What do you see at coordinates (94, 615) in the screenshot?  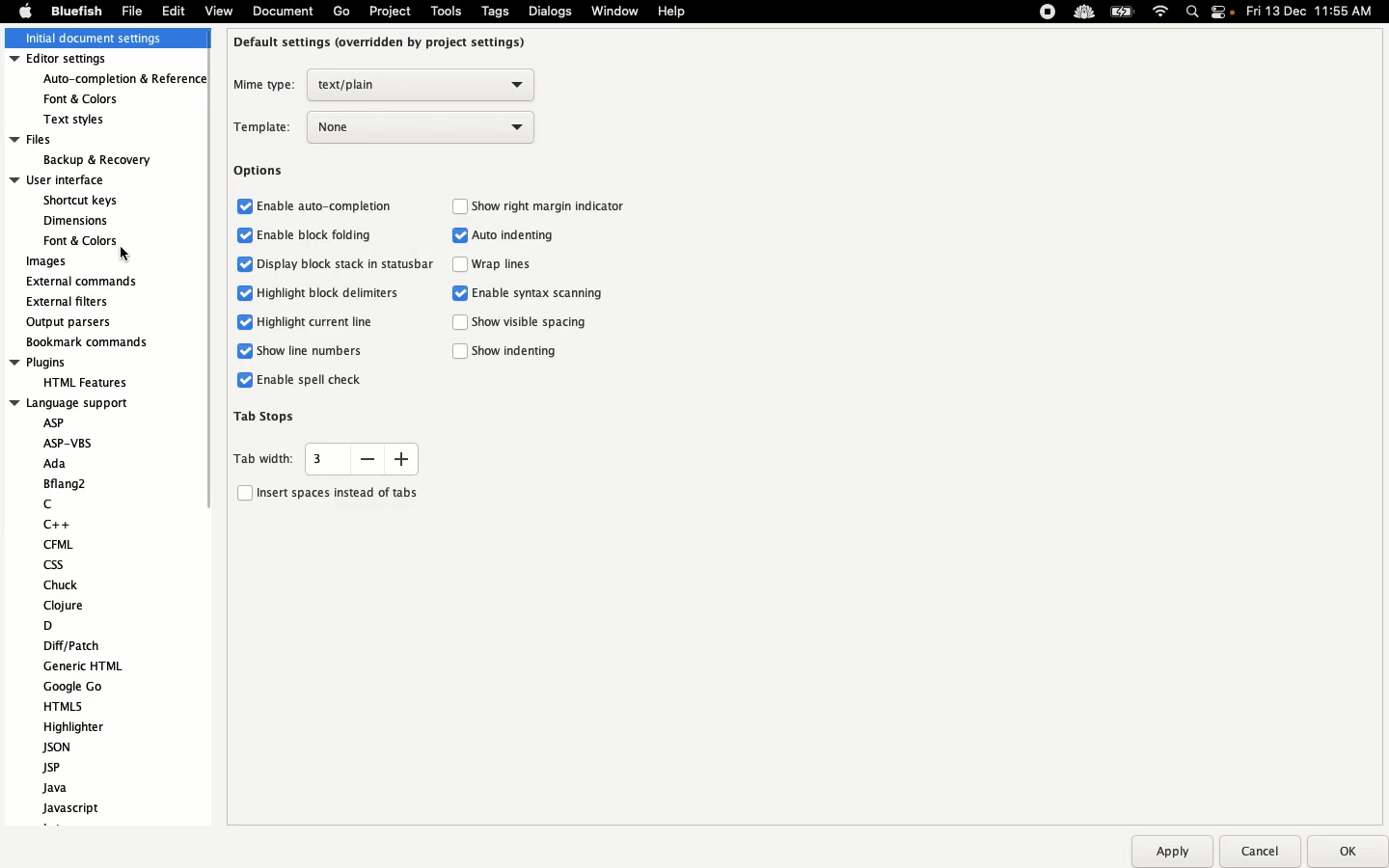 I see `Language support` at bounding box center [94, 615].